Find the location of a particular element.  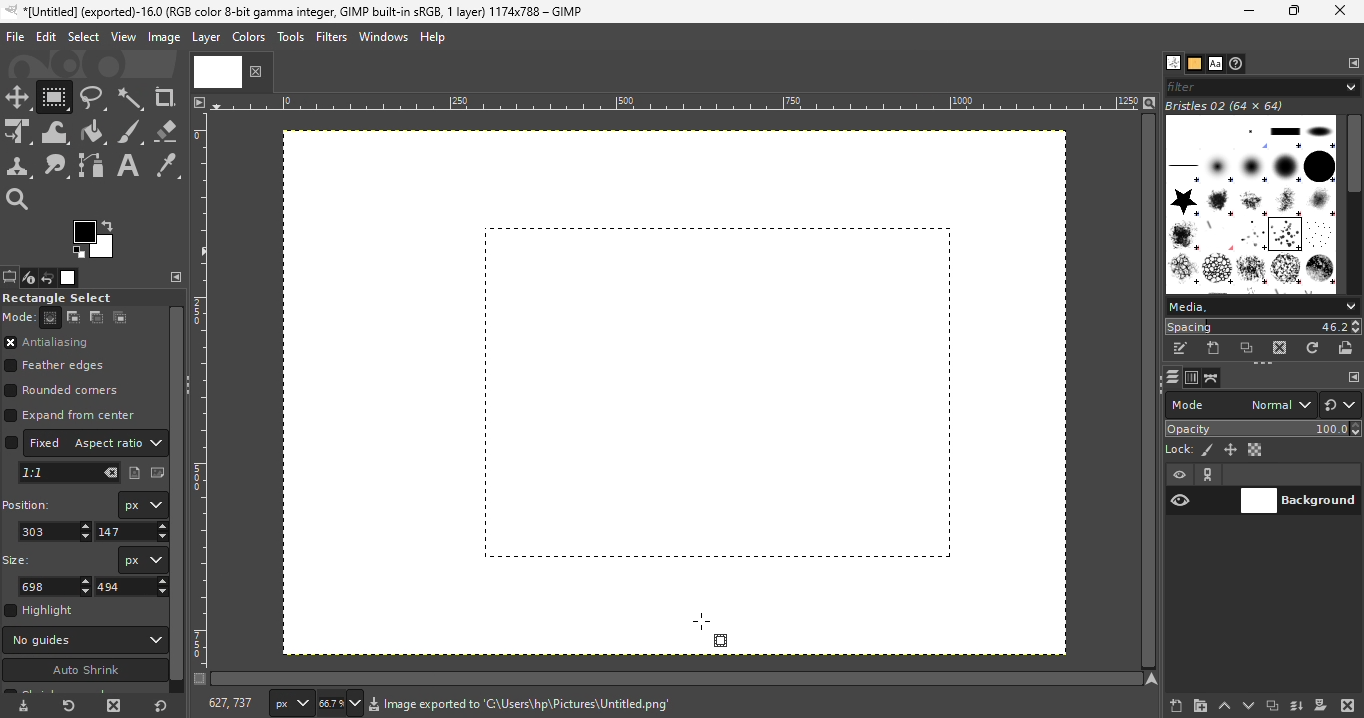

The active foreground color is located at coordinates (92, 239).